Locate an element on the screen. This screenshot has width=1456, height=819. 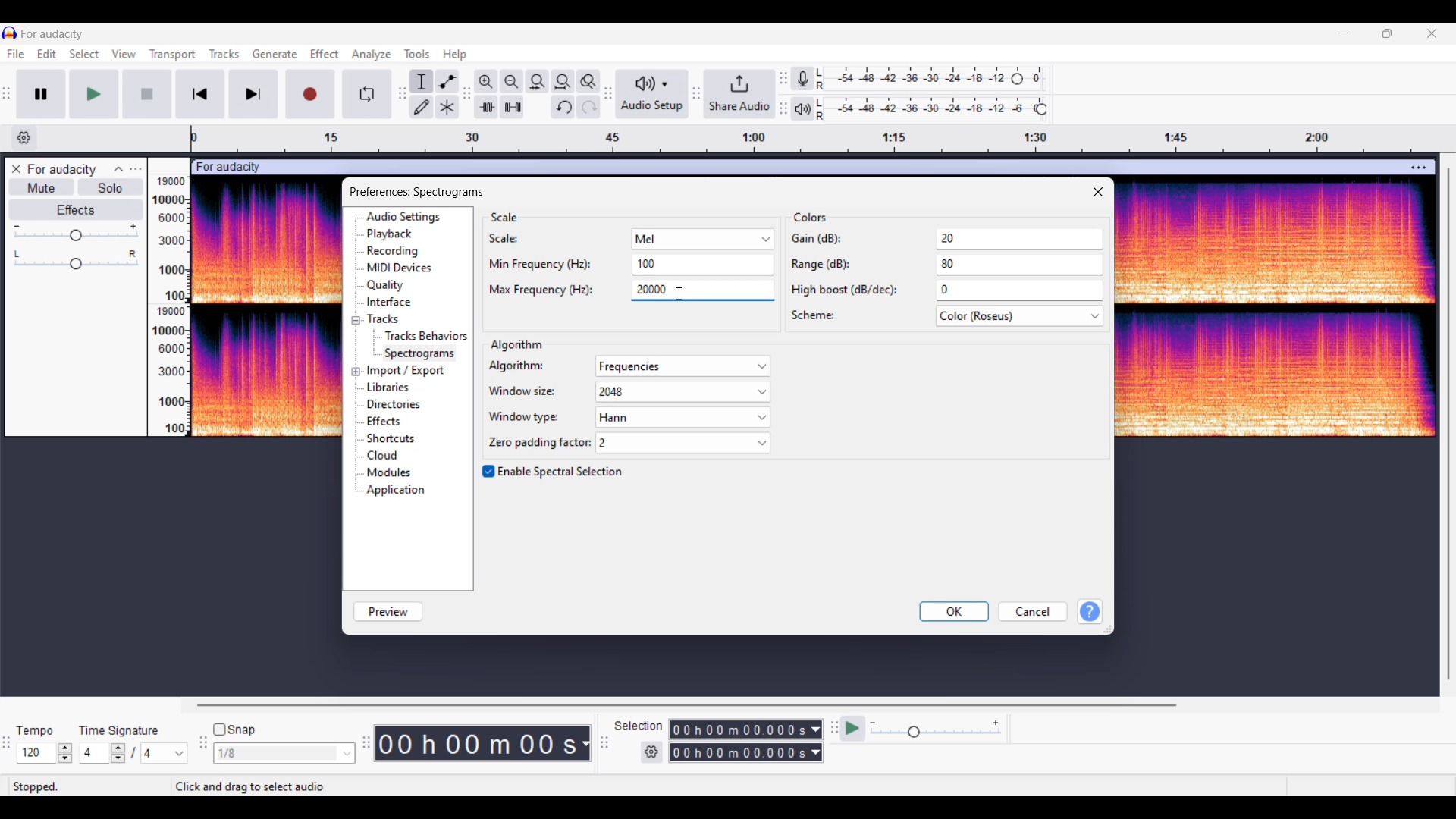
Section title is located at coordinates (516, 344).